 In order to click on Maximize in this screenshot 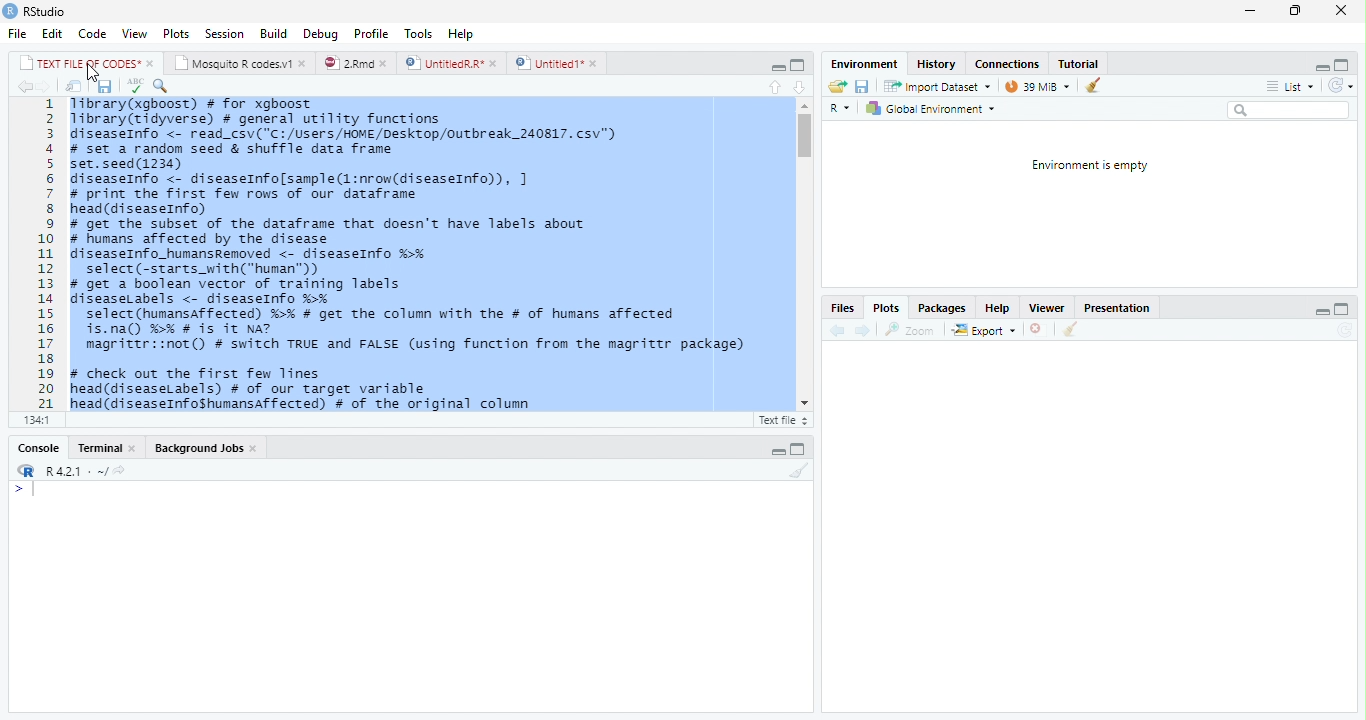, I will do `click(1345, 63)`.